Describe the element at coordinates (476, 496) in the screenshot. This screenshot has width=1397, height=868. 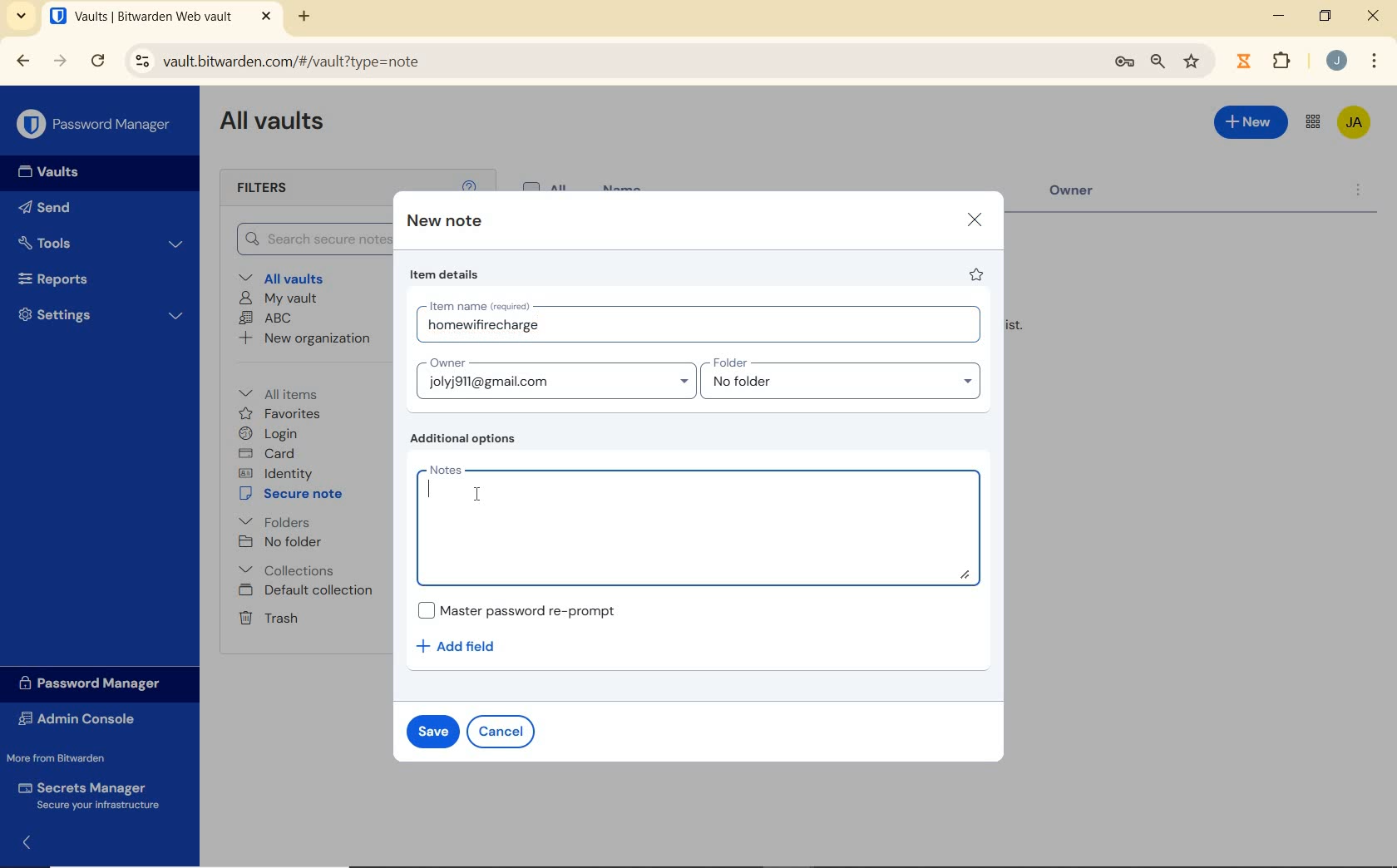
I see `cursor` at that location.